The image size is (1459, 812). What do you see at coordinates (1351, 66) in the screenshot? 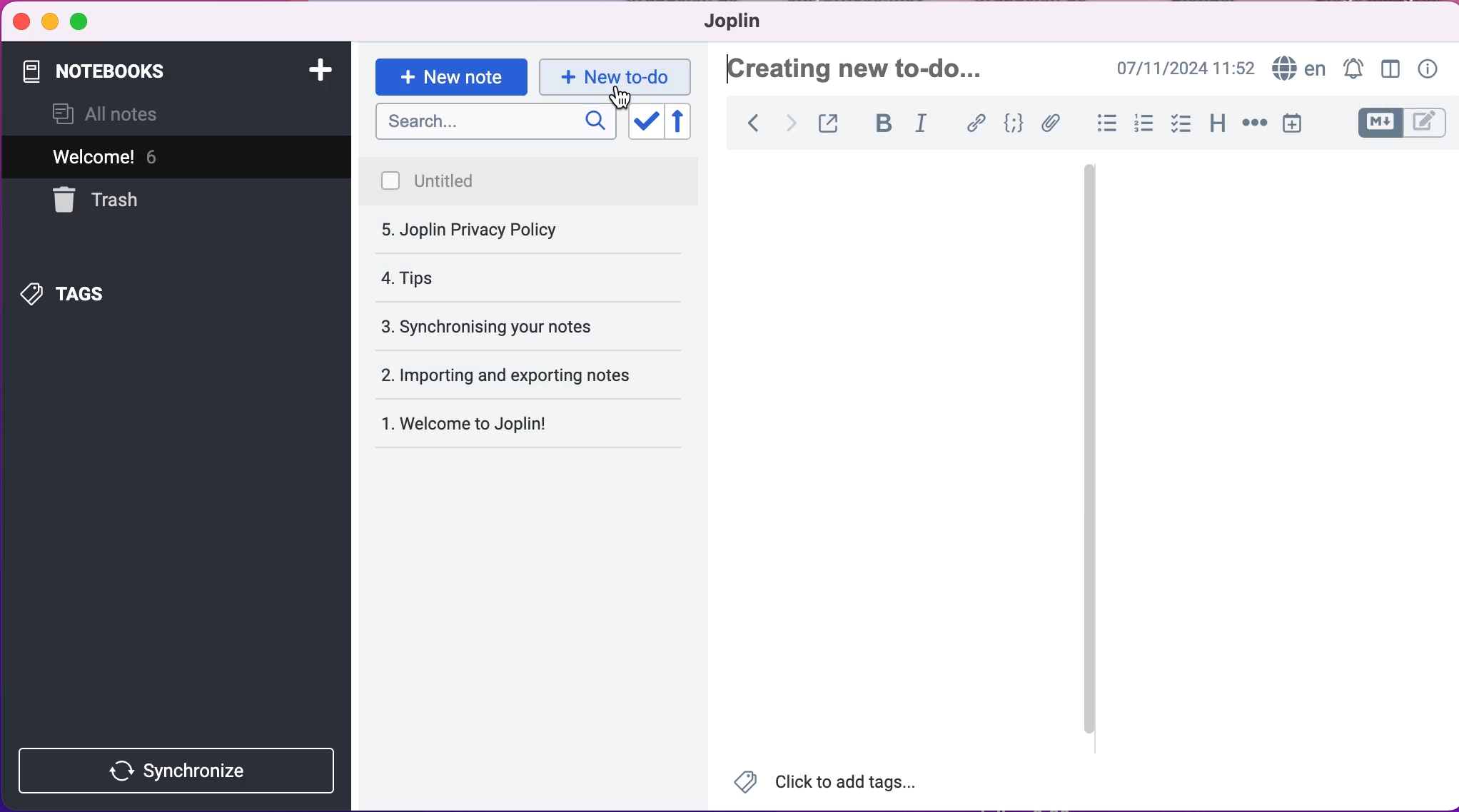
I see `set alarm` at bounding box center [1351, 66].